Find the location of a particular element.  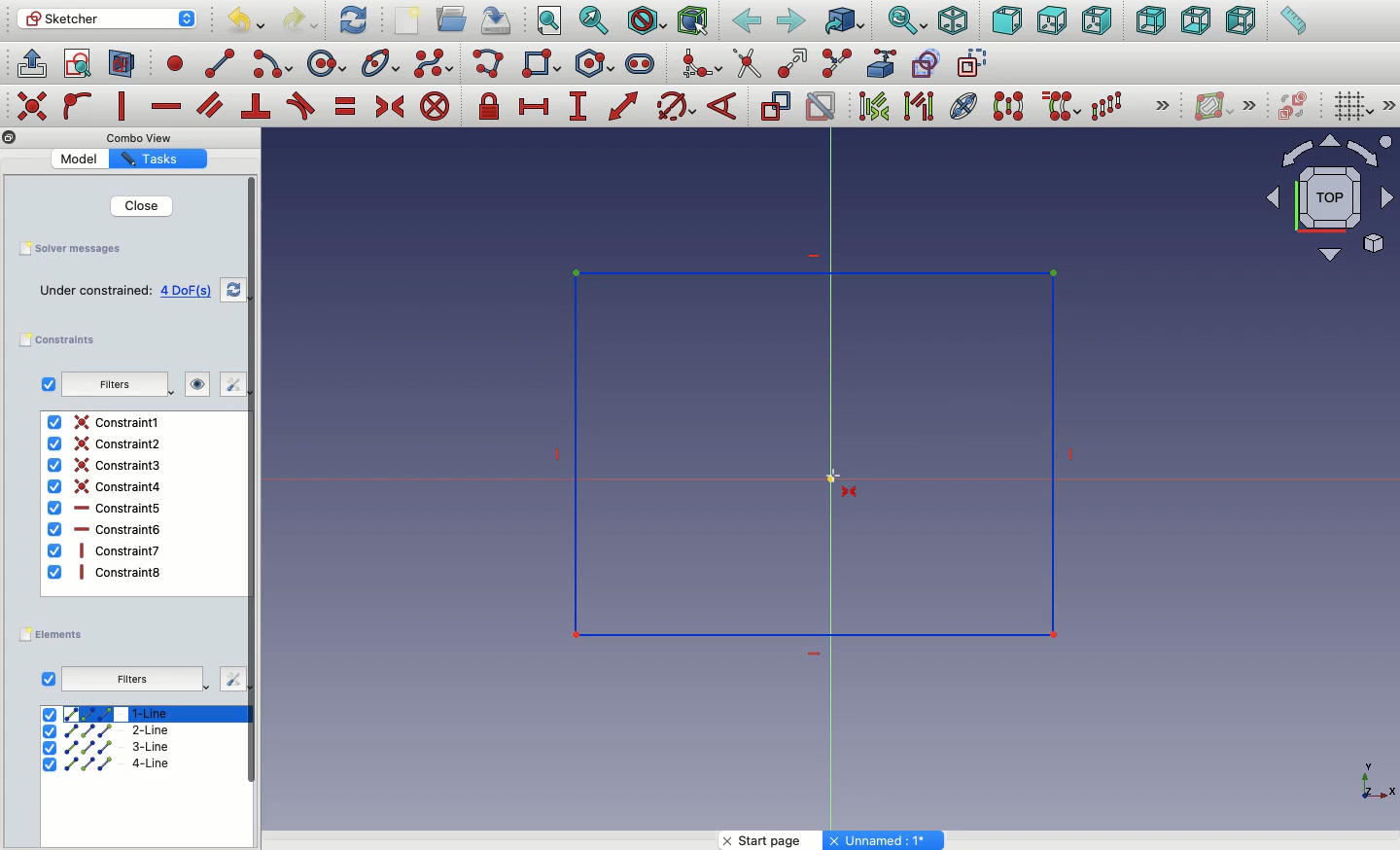

edit is located at coordinates (231, 679).